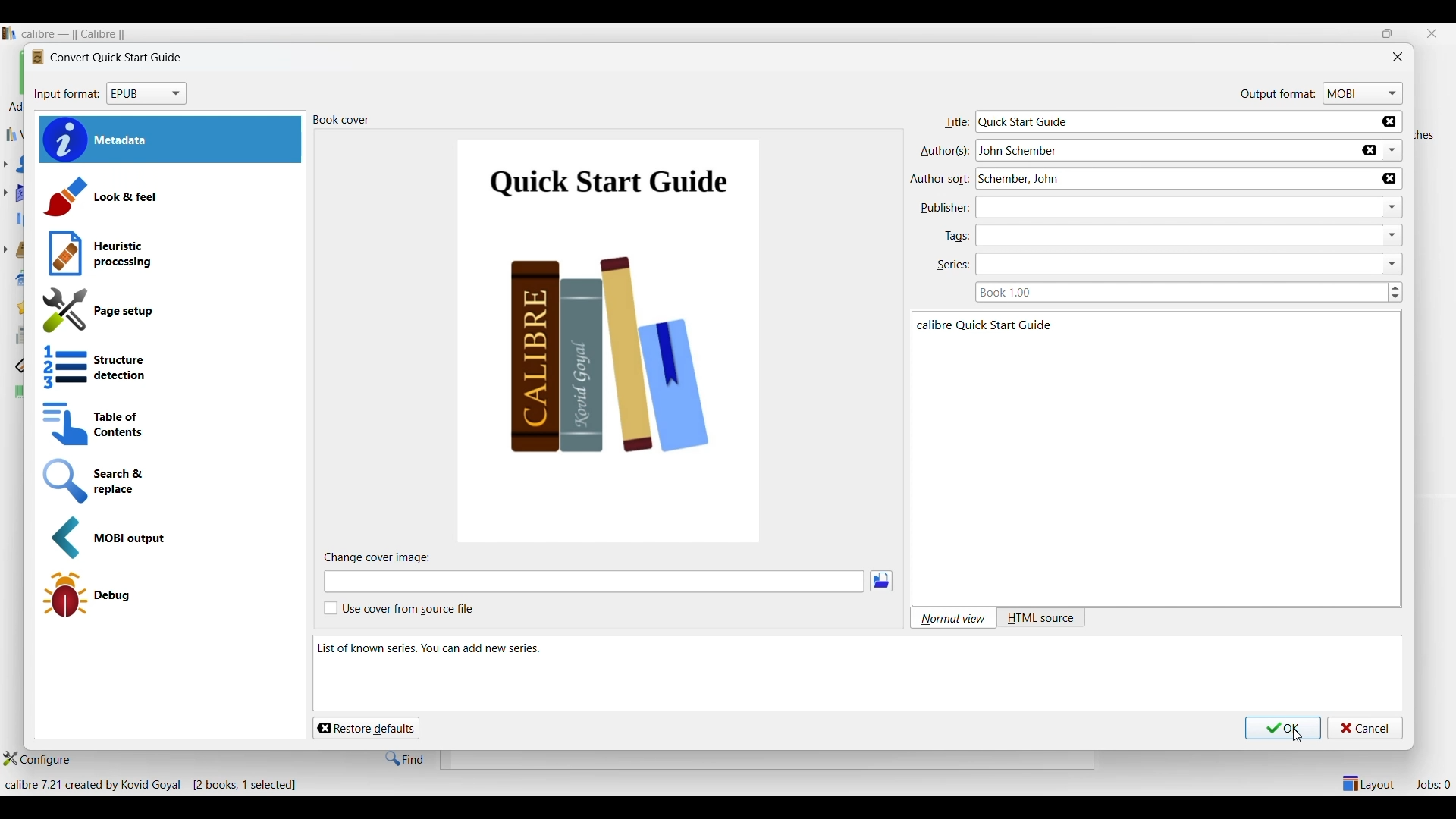 This screenshot has height=819, width=1456. I want to click on Increase/Decrease book series number, so click(1395, 292).